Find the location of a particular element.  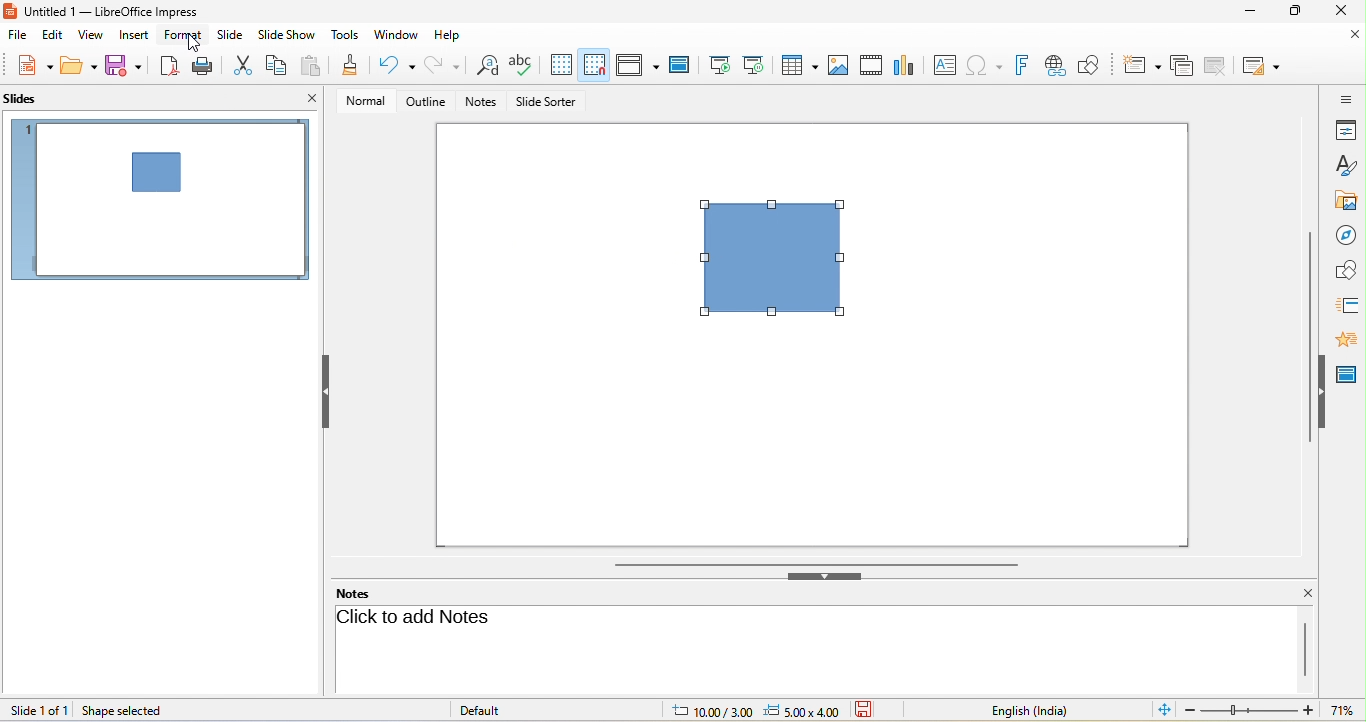

display grids is located at coordinates (561, 65).